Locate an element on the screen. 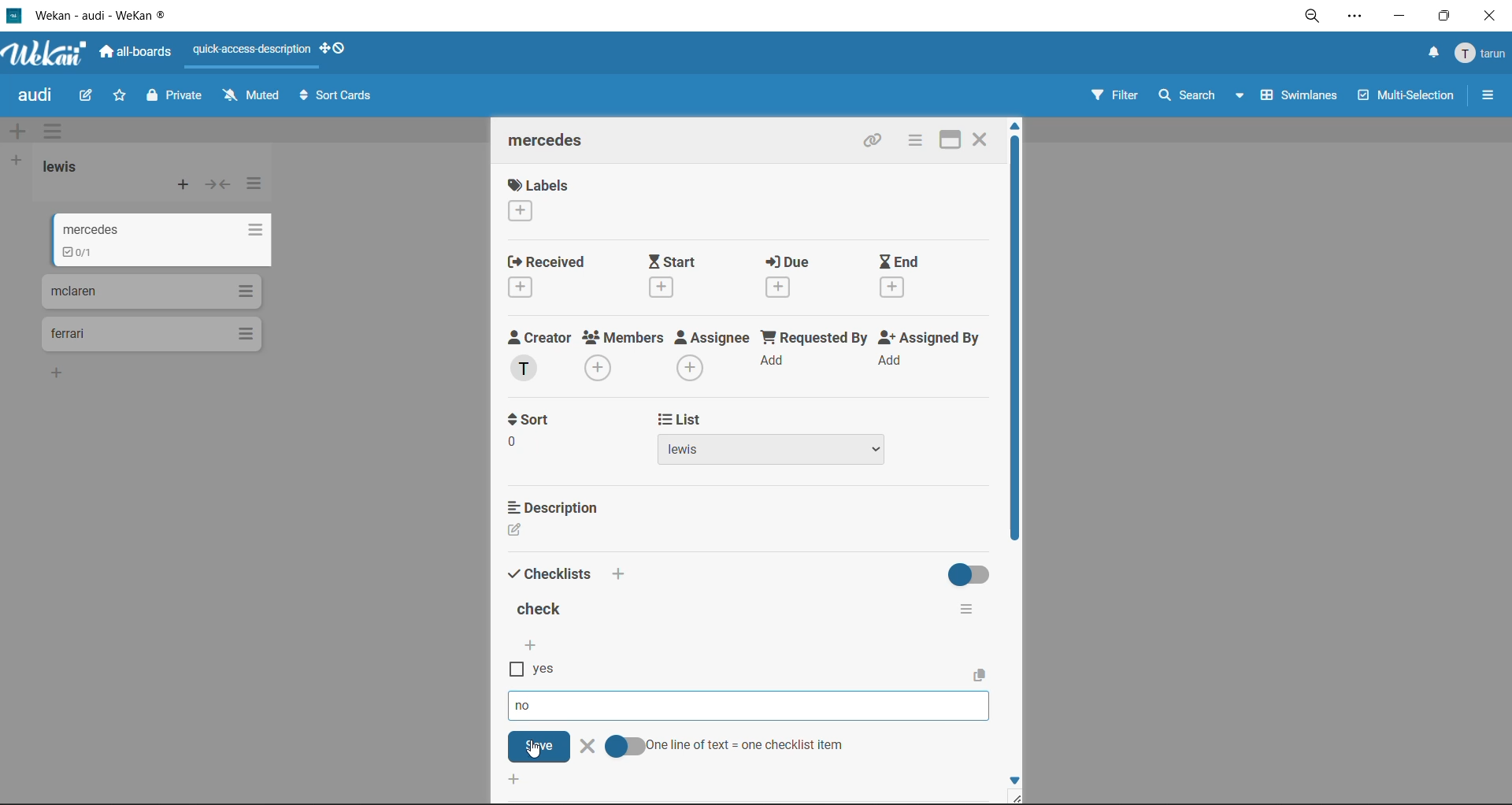  star is located at coordinates (121, 99).